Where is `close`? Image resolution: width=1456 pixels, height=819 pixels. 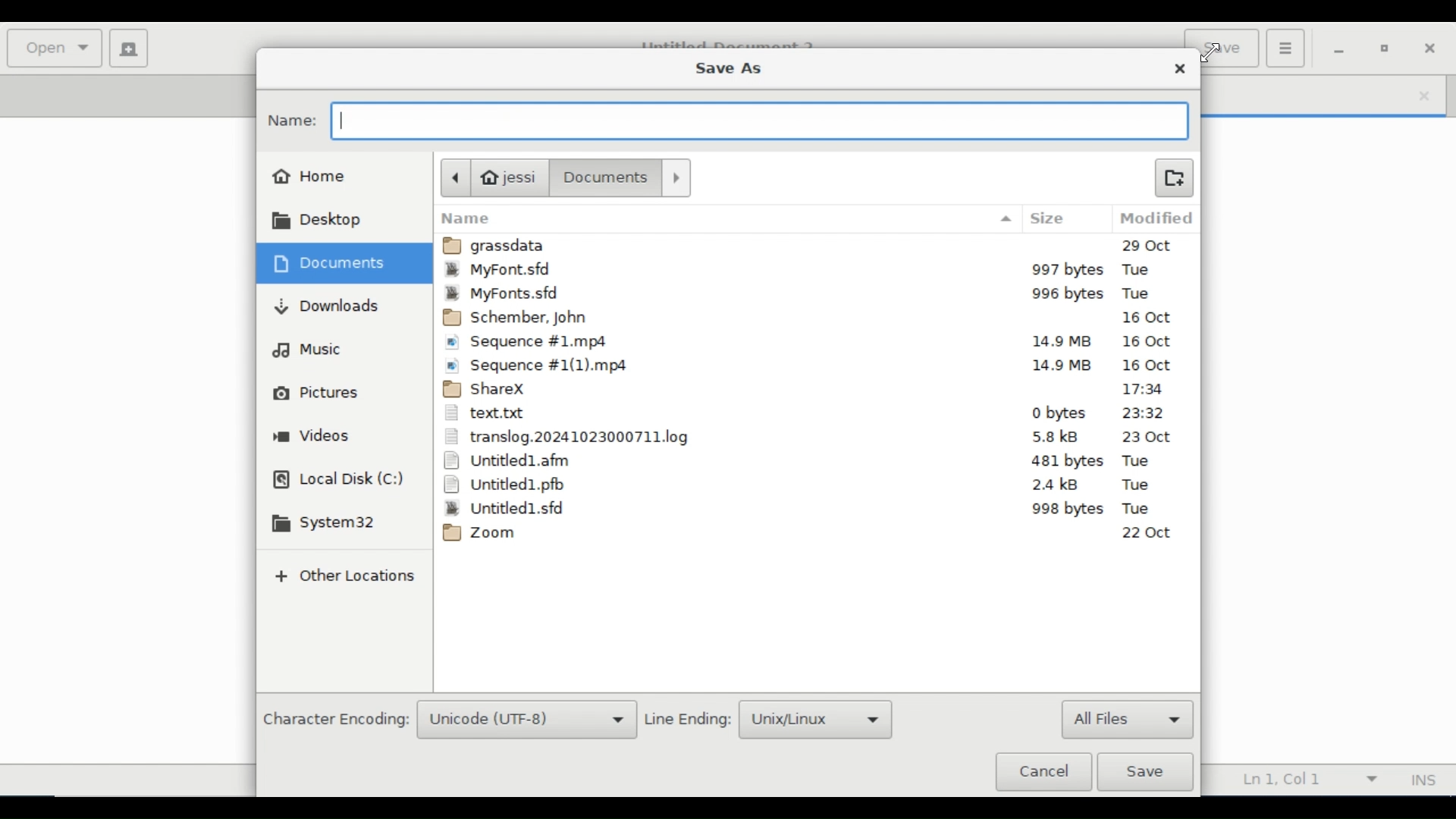 close is located at coordinates (1424, 99).